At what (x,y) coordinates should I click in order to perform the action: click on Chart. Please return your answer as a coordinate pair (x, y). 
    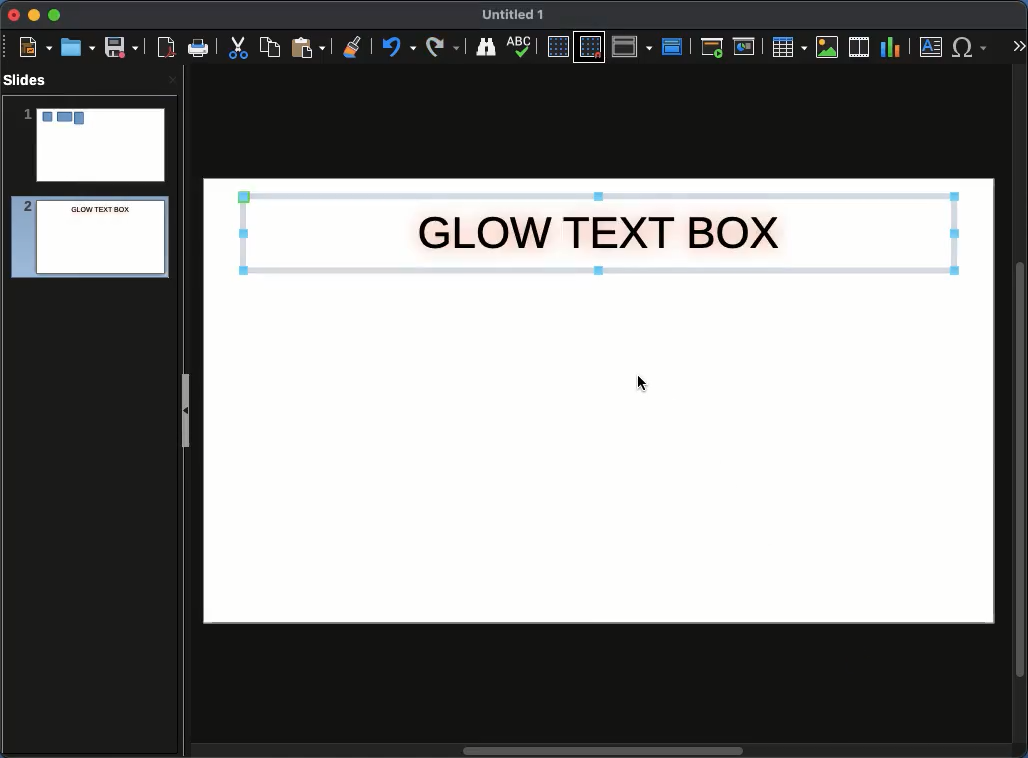
    Looking at the image, I should click on (890, 48).